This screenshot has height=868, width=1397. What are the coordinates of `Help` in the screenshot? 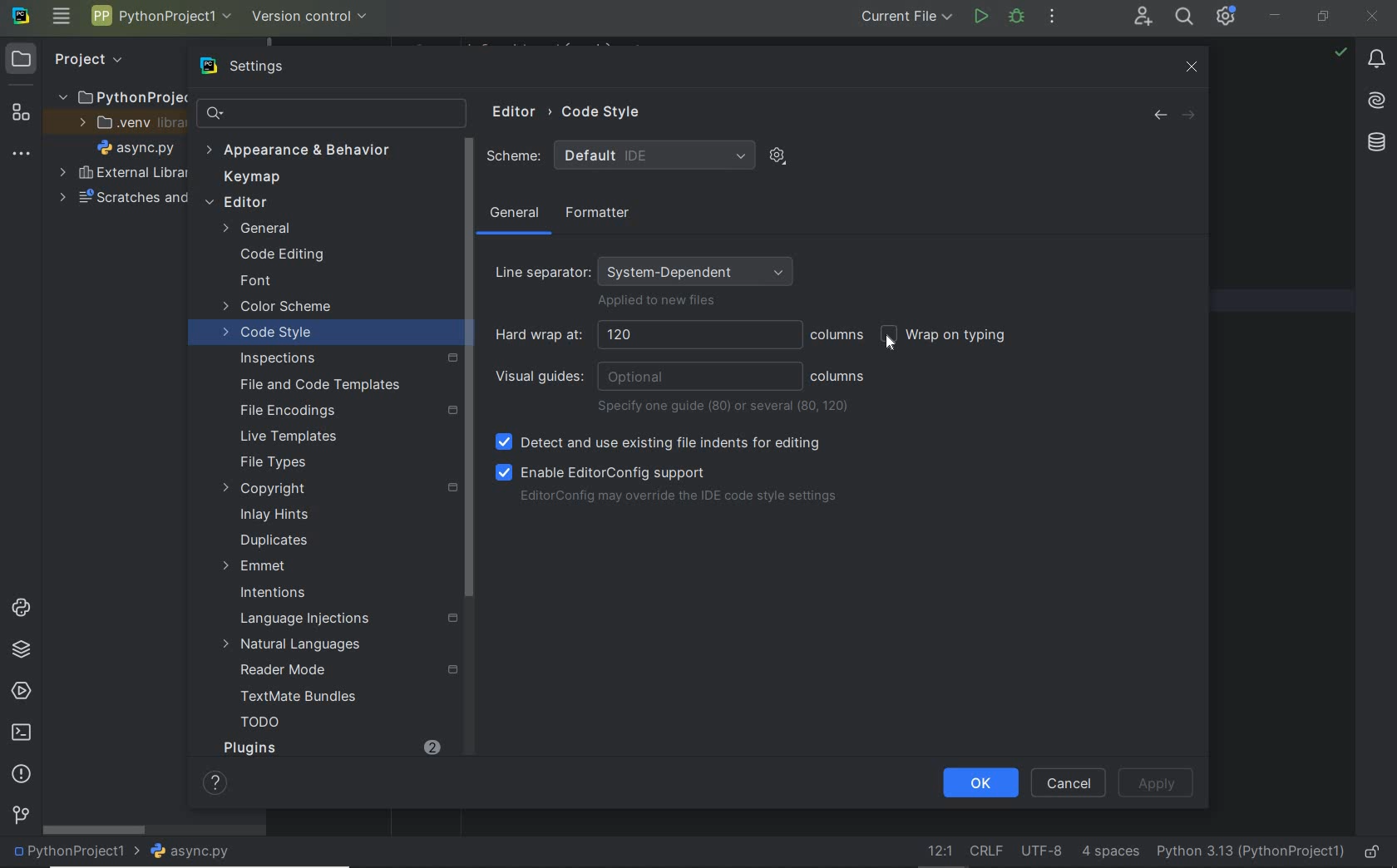 It's located at (210, 782).